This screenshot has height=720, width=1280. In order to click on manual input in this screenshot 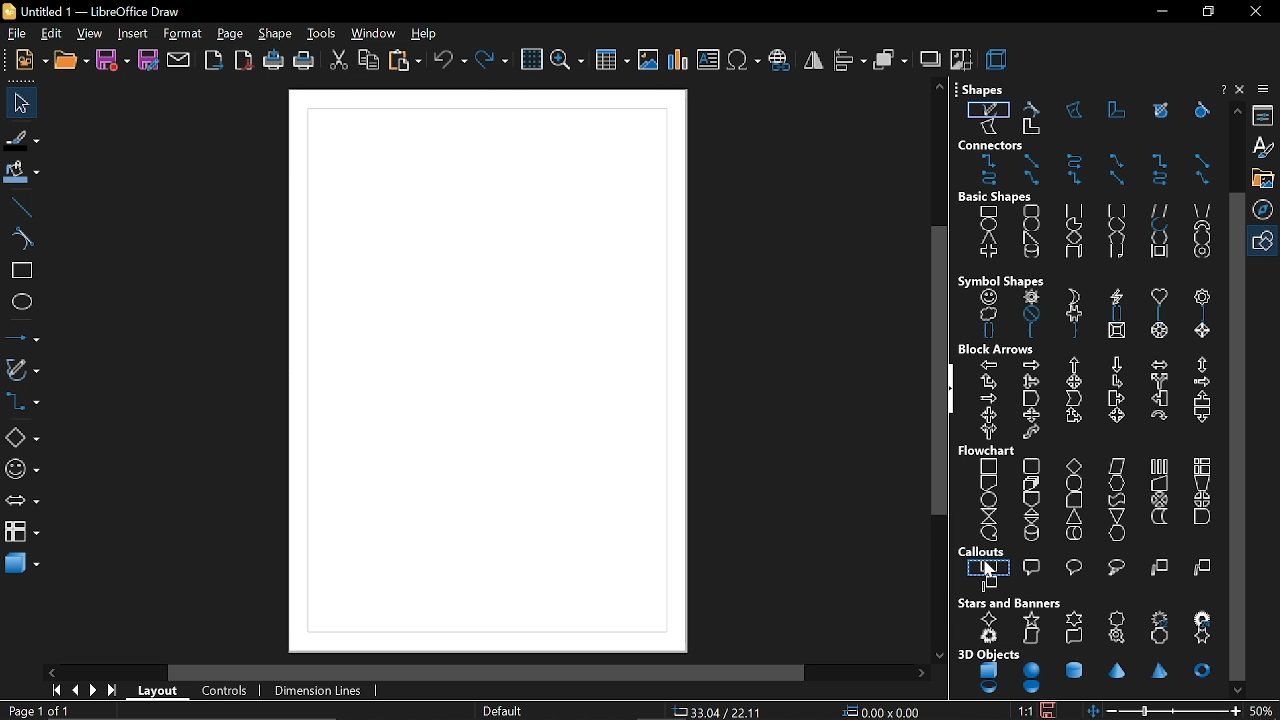, I will do `click(1159, 486)`.